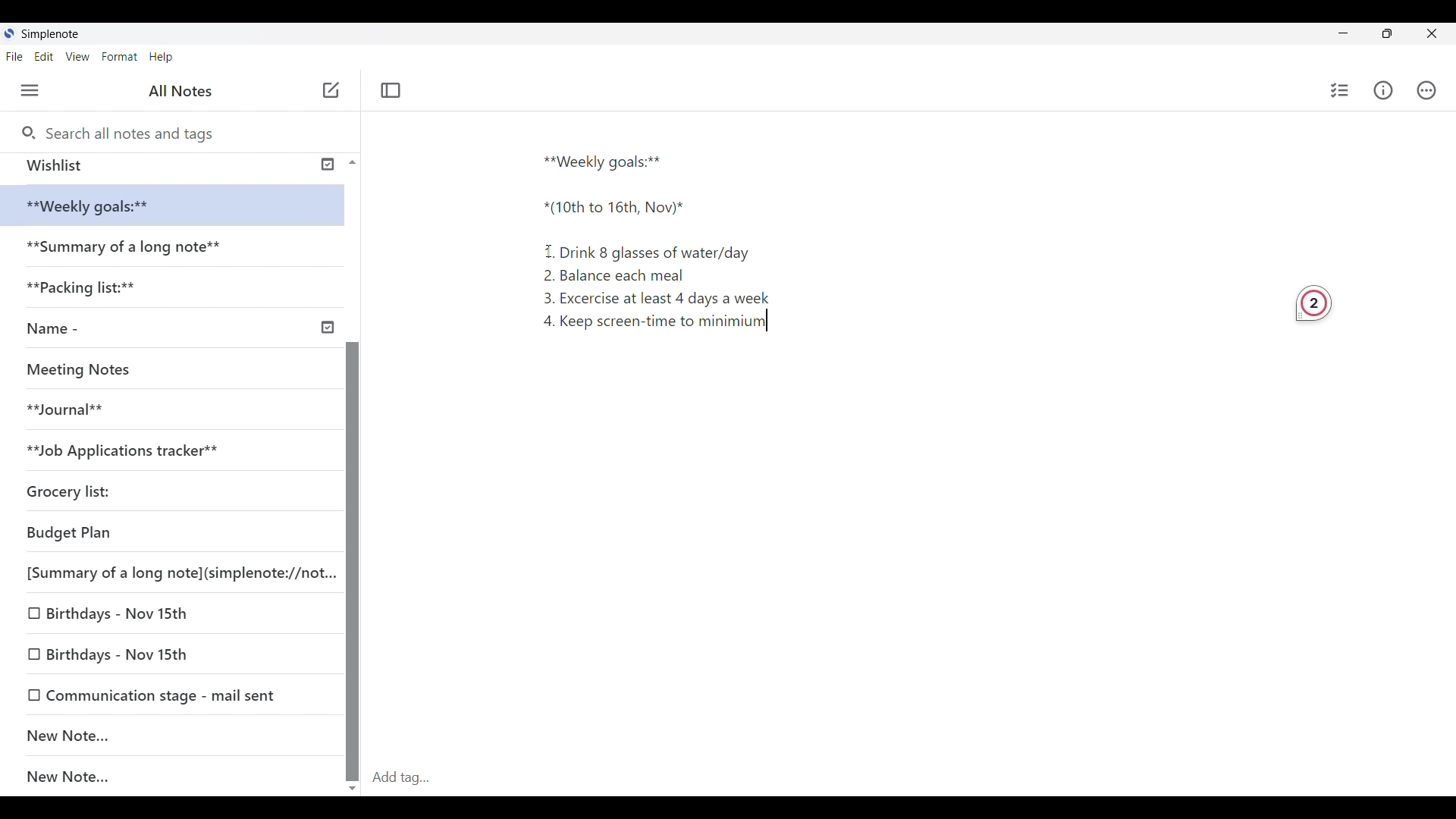 This screenshot has height=819, width=1456. Describe the element at coordinates (1385, 91) in the screenshot. I see `Info` at that location.